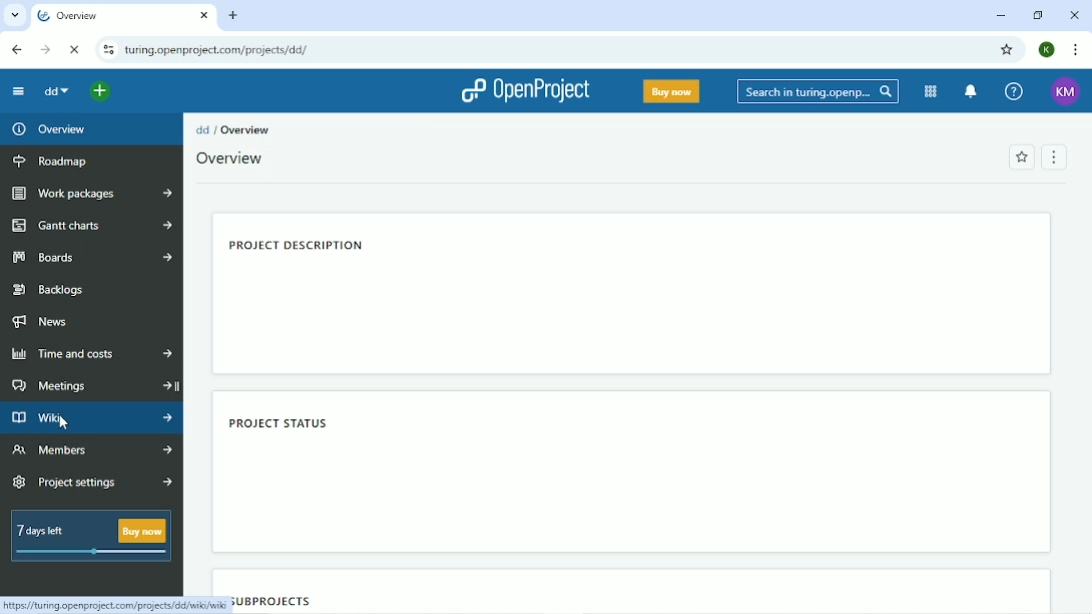 The height and width of the screenshot is (614, 1092). Describe the element at coordinates (18, 91) in the screenshot. I see `Collapse project menu` at that location.